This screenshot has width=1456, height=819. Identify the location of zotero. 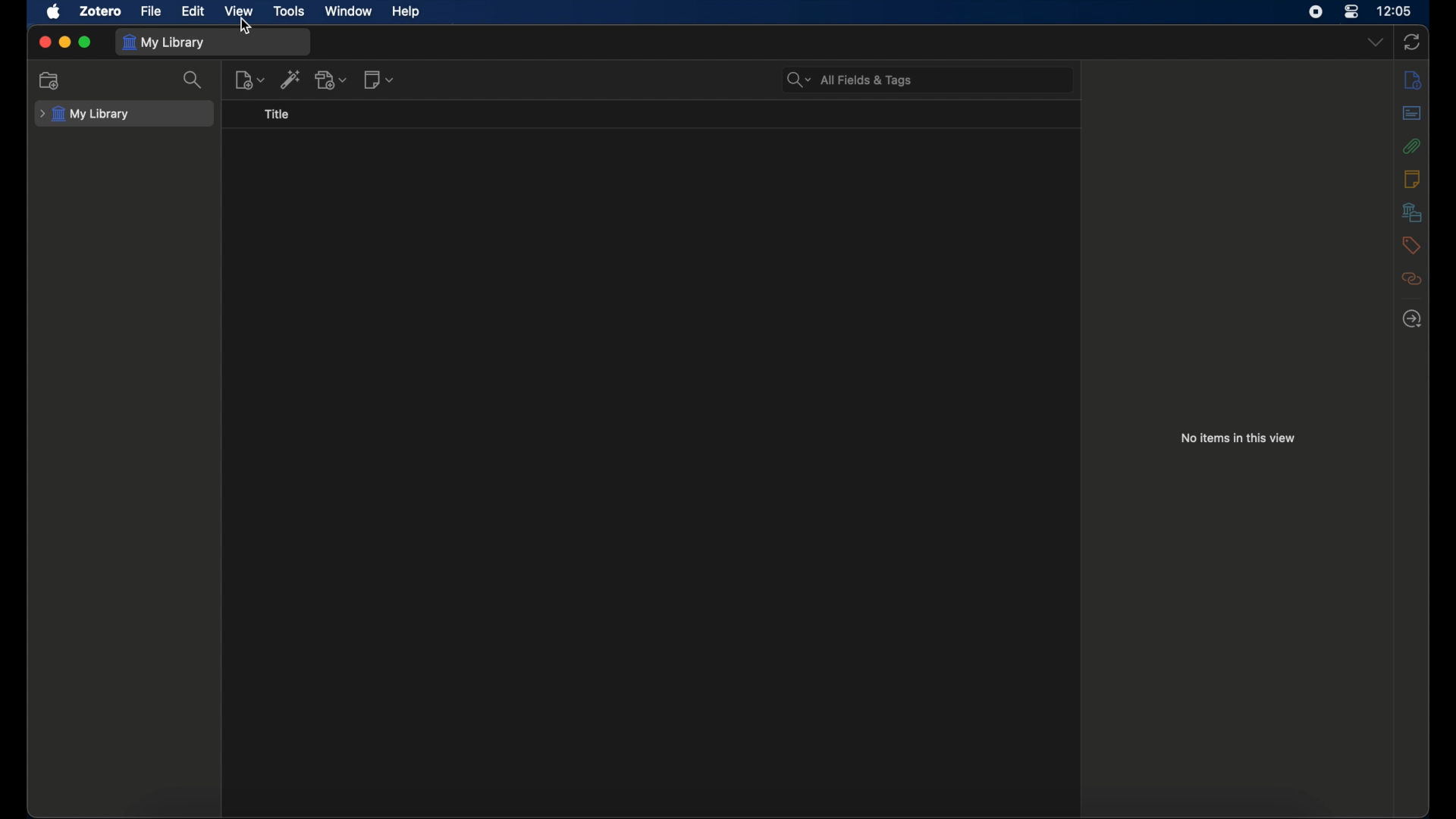
(101, 11).